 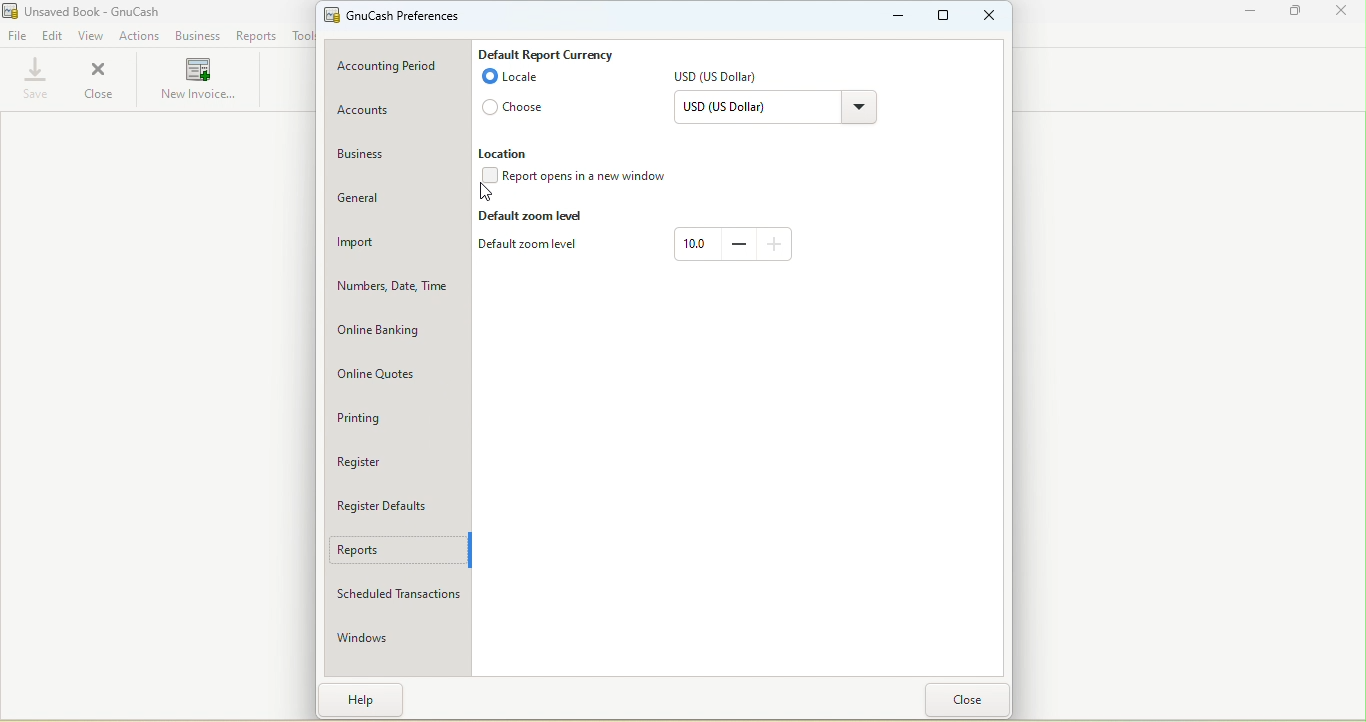 I want to click on Accounts, so click(x=395, y=111).